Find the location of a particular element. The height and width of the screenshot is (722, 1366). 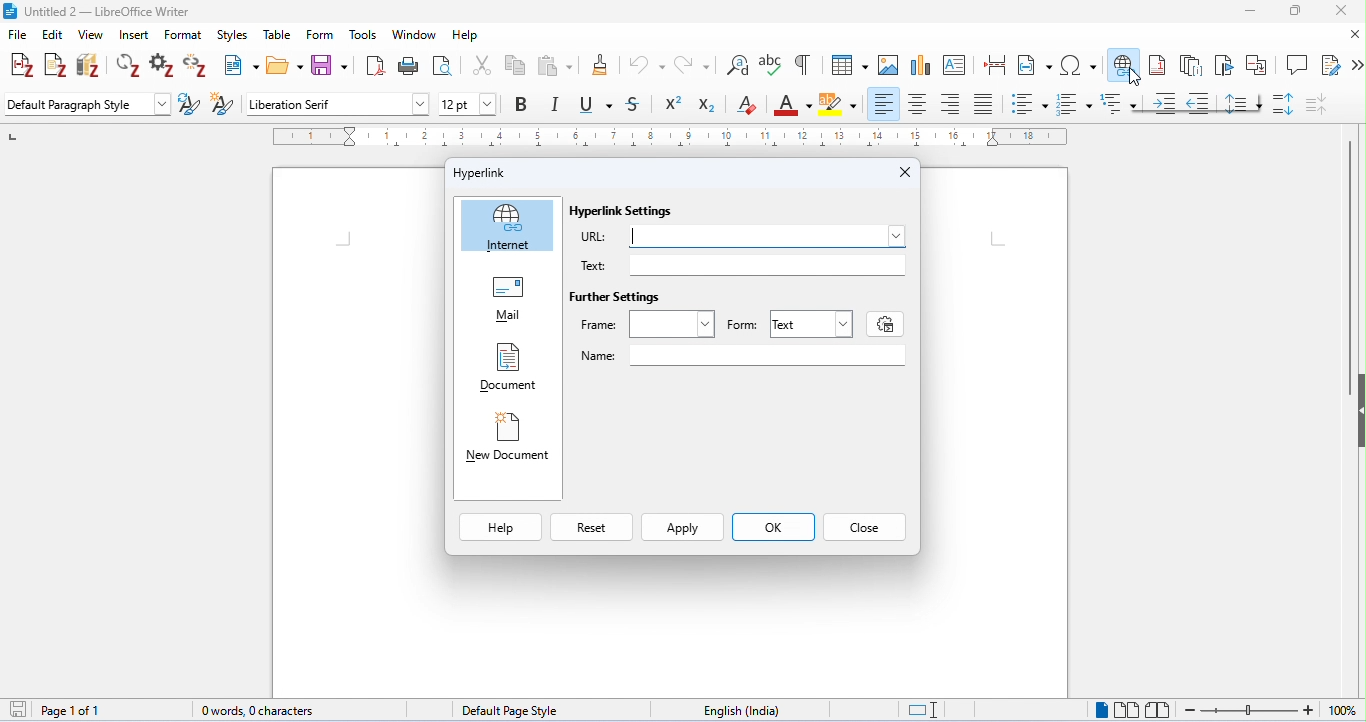

update selected style is located at coordinates (190, 105).